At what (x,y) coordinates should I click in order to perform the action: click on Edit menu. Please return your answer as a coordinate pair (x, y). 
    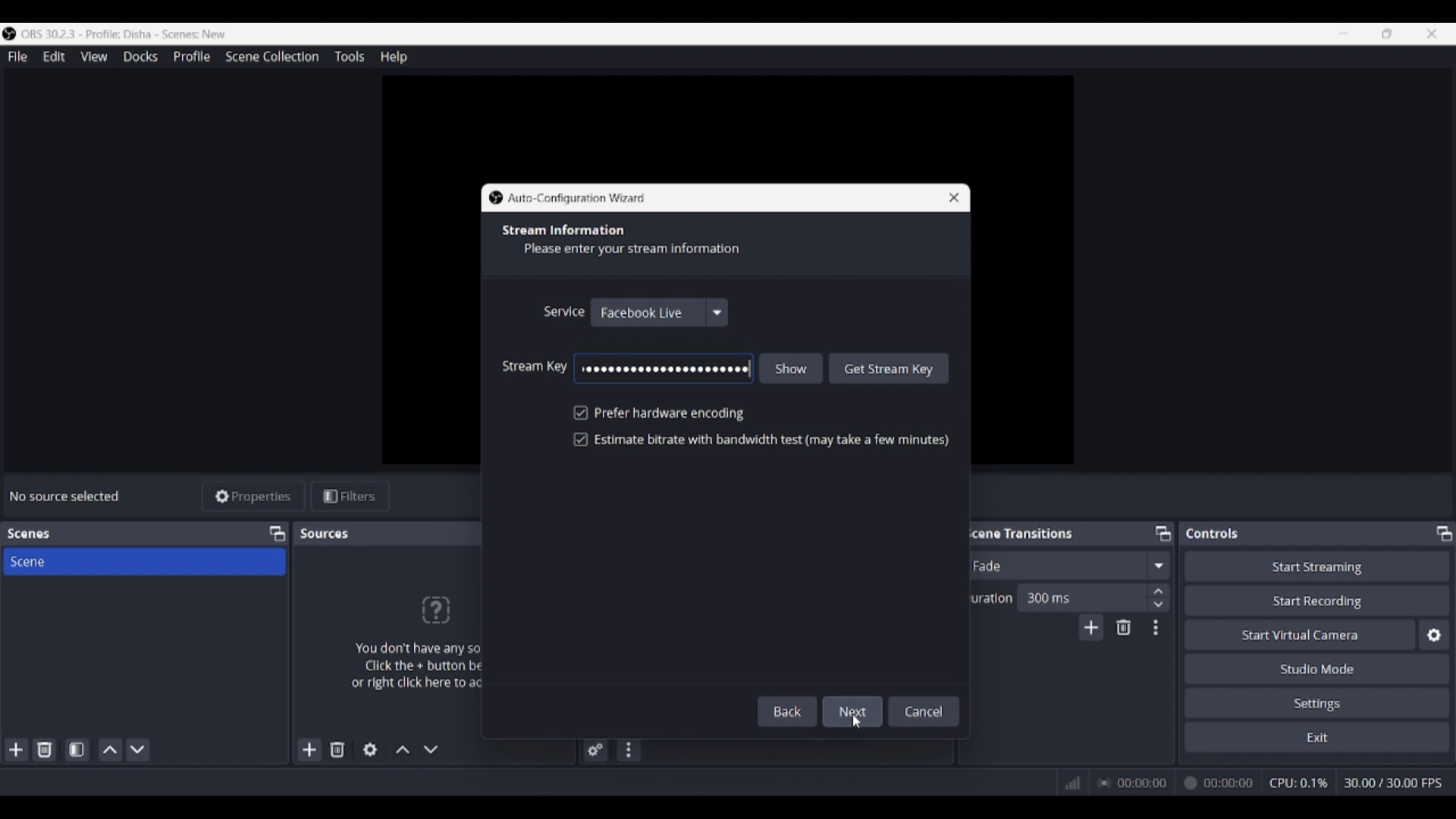
    Looking at the image, I should click on (53, 57).